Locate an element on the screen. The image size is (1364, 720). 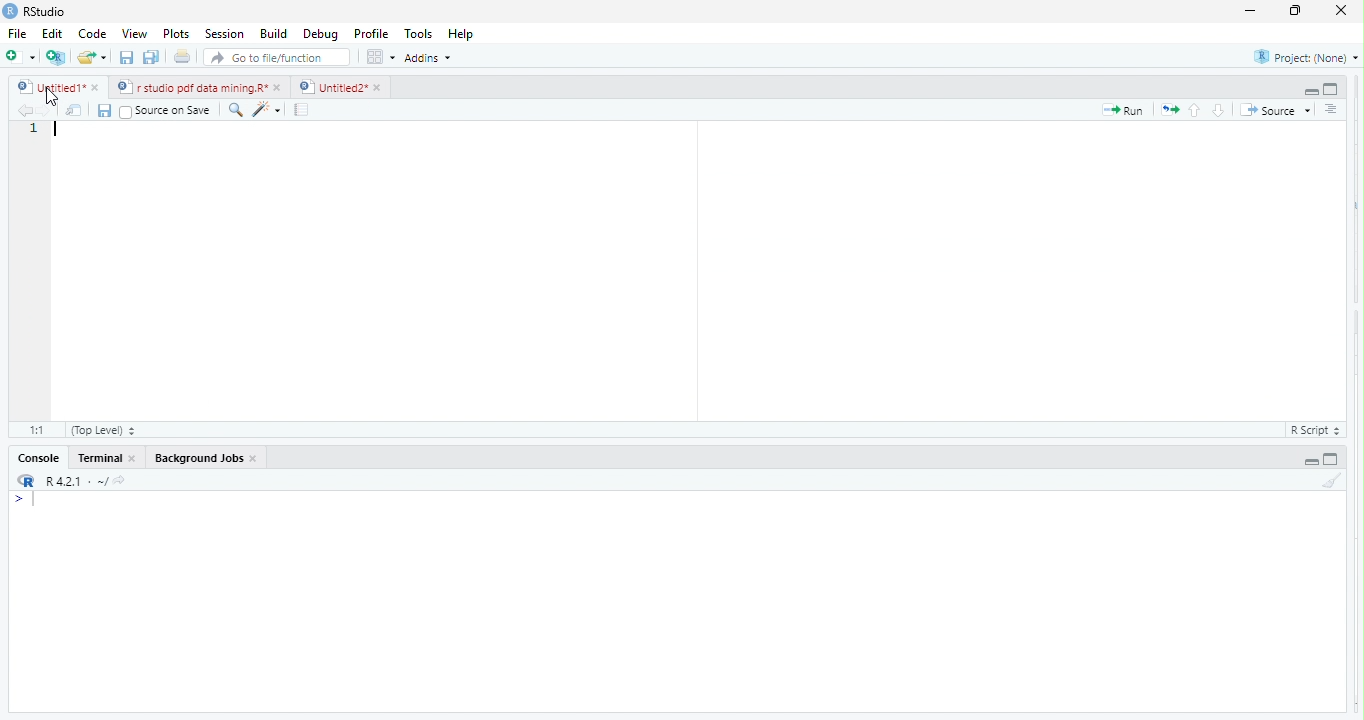
typing cursor is located at coordinates (58, 132).